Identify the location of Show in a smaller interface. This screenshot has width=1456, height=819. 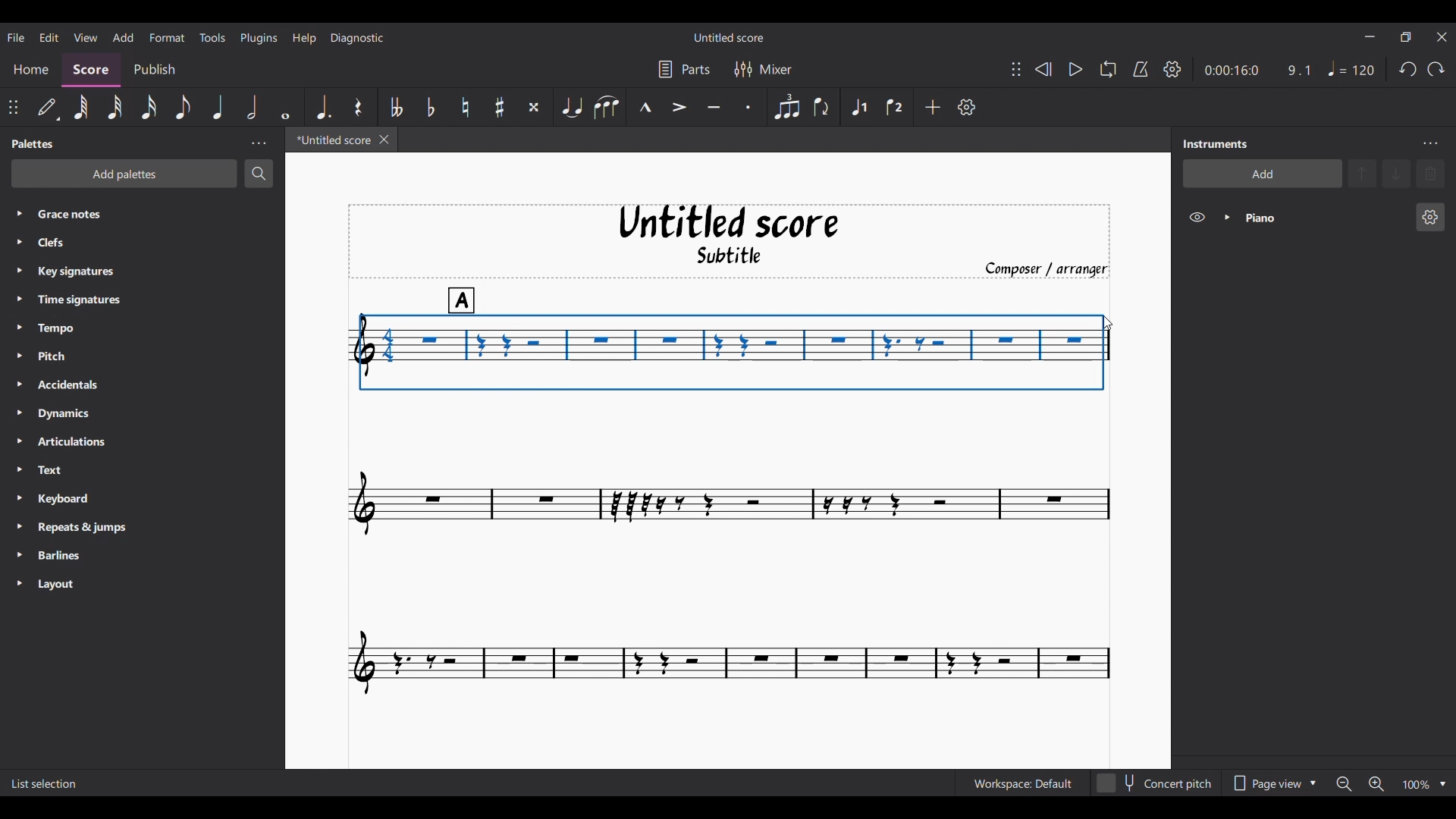
(1405, 37).